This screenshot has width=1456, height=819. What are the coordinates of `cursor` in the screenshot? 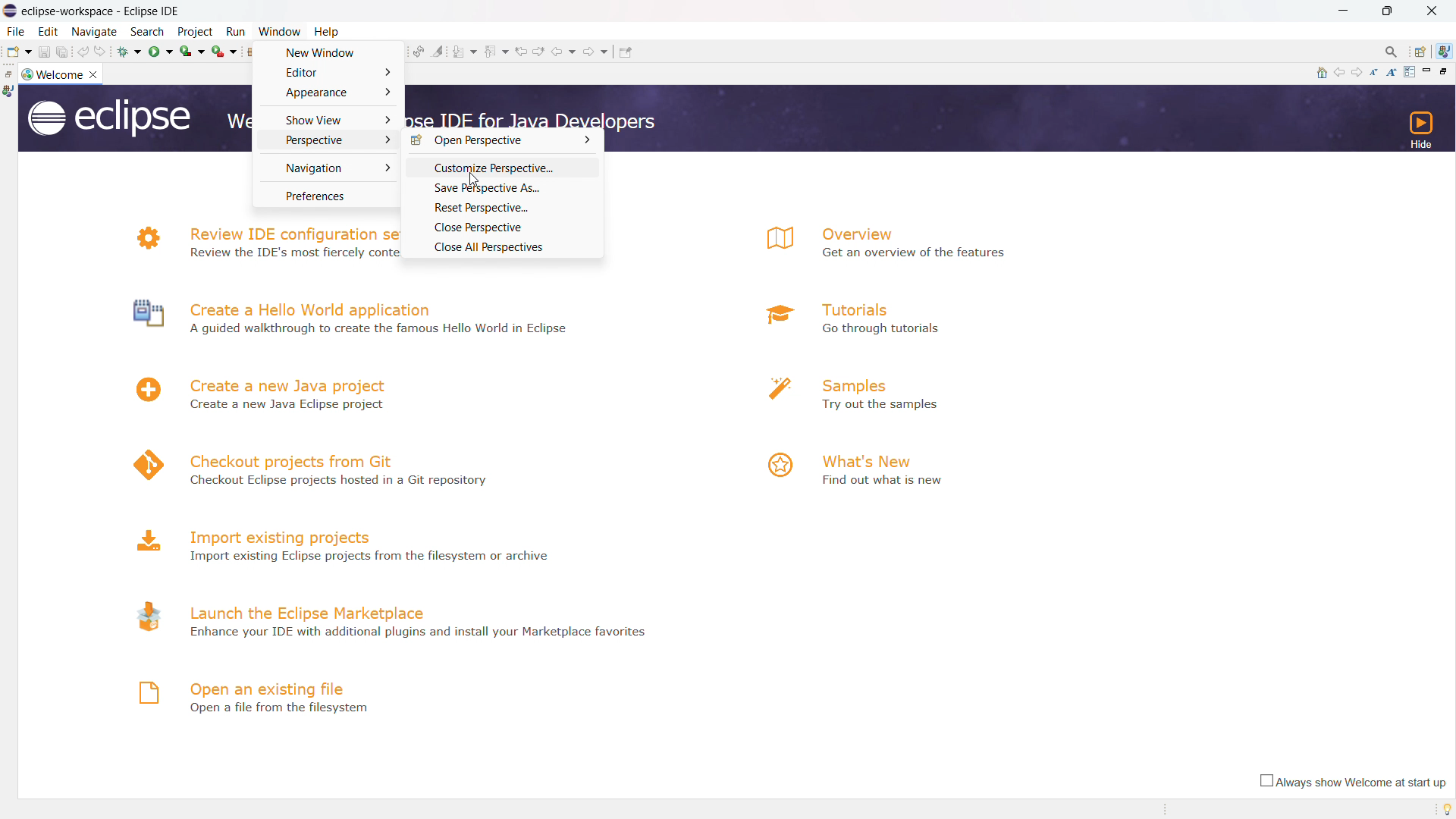 It's located at (475, 180).